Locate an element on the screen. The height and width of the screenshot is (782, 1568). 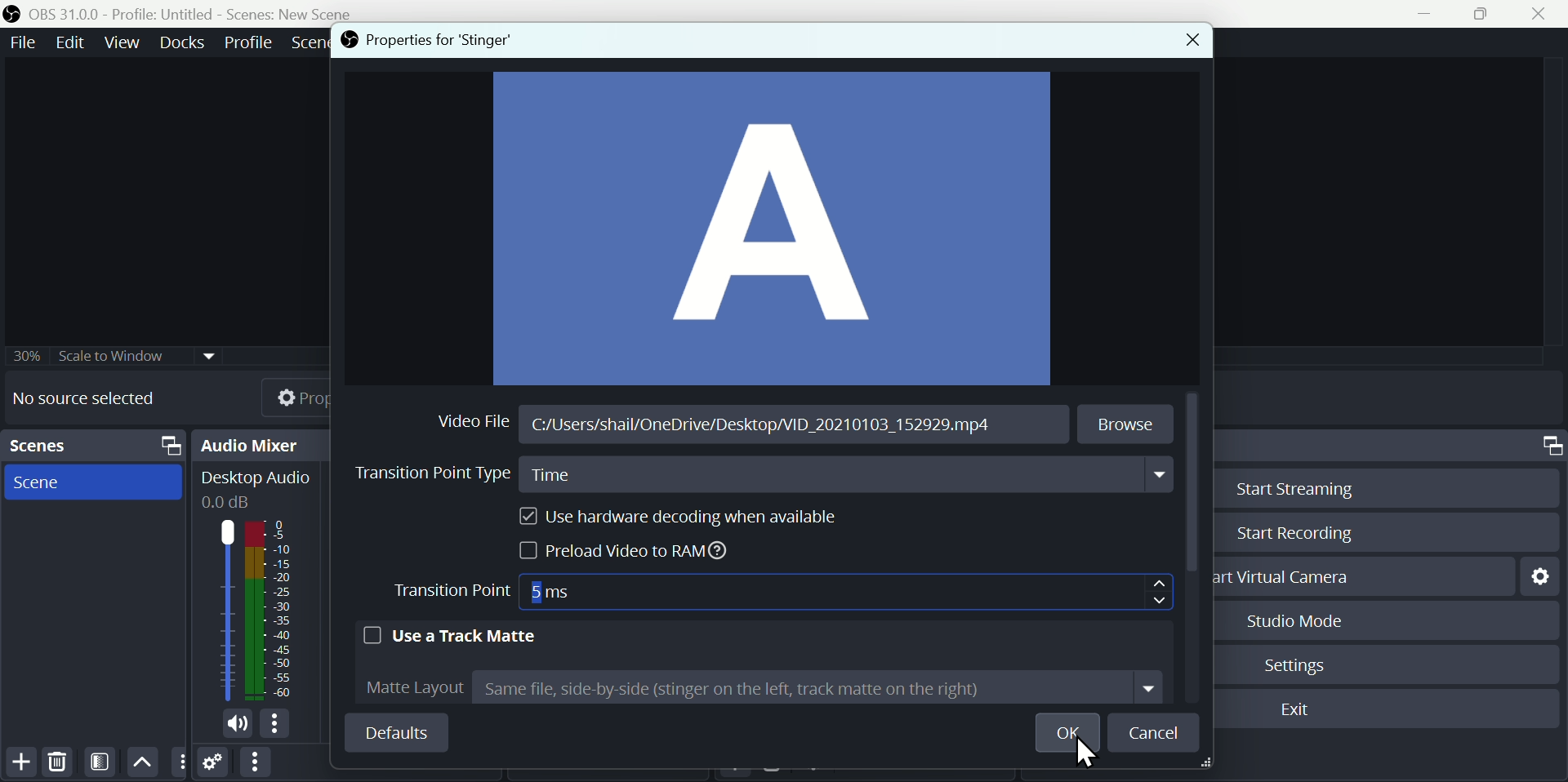
 is located at coordinates (20, 42).